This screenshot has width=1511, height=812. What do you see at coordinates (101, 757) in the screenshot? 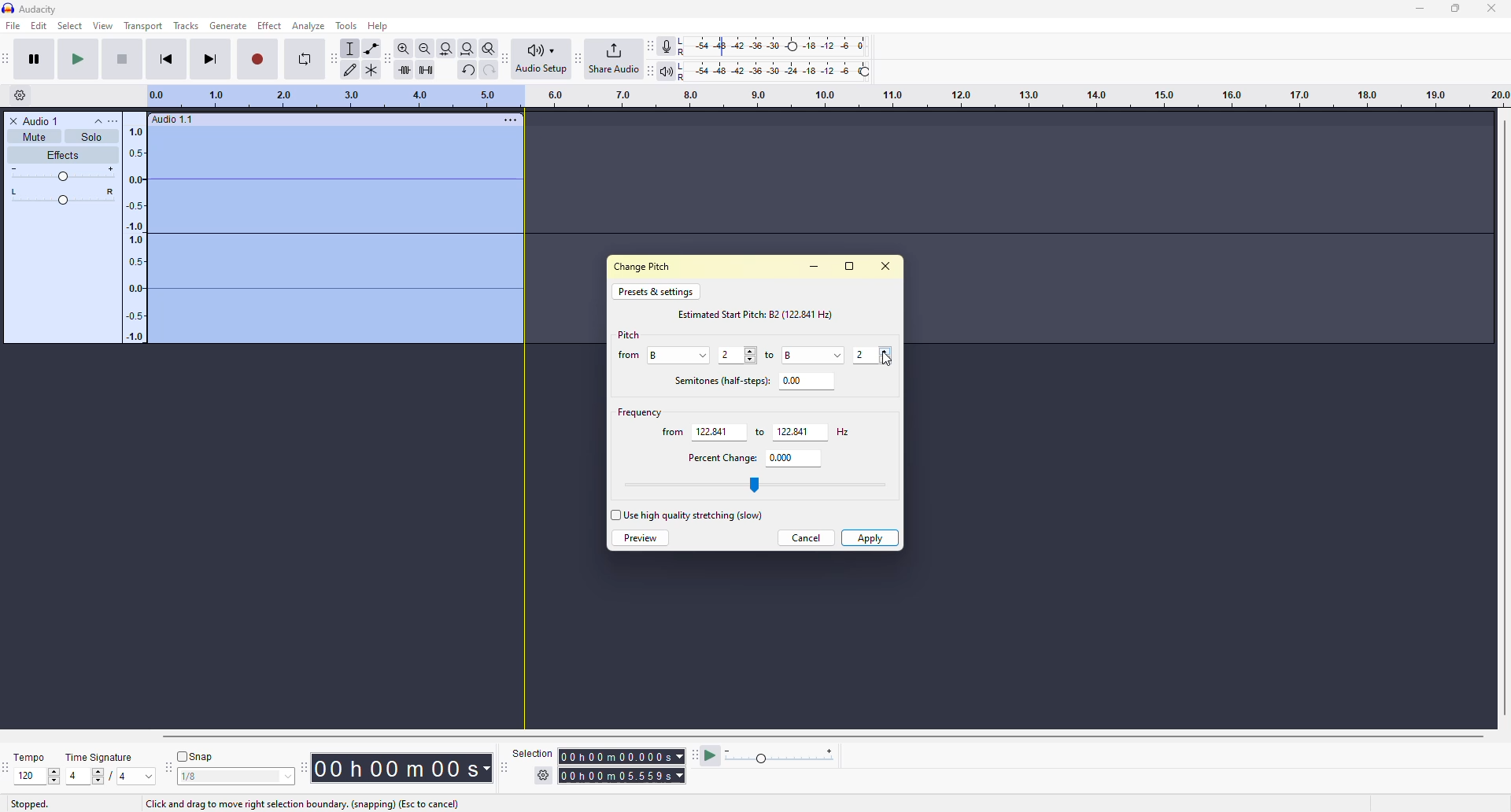
I see `time signature` at bounding box center [101, 757].